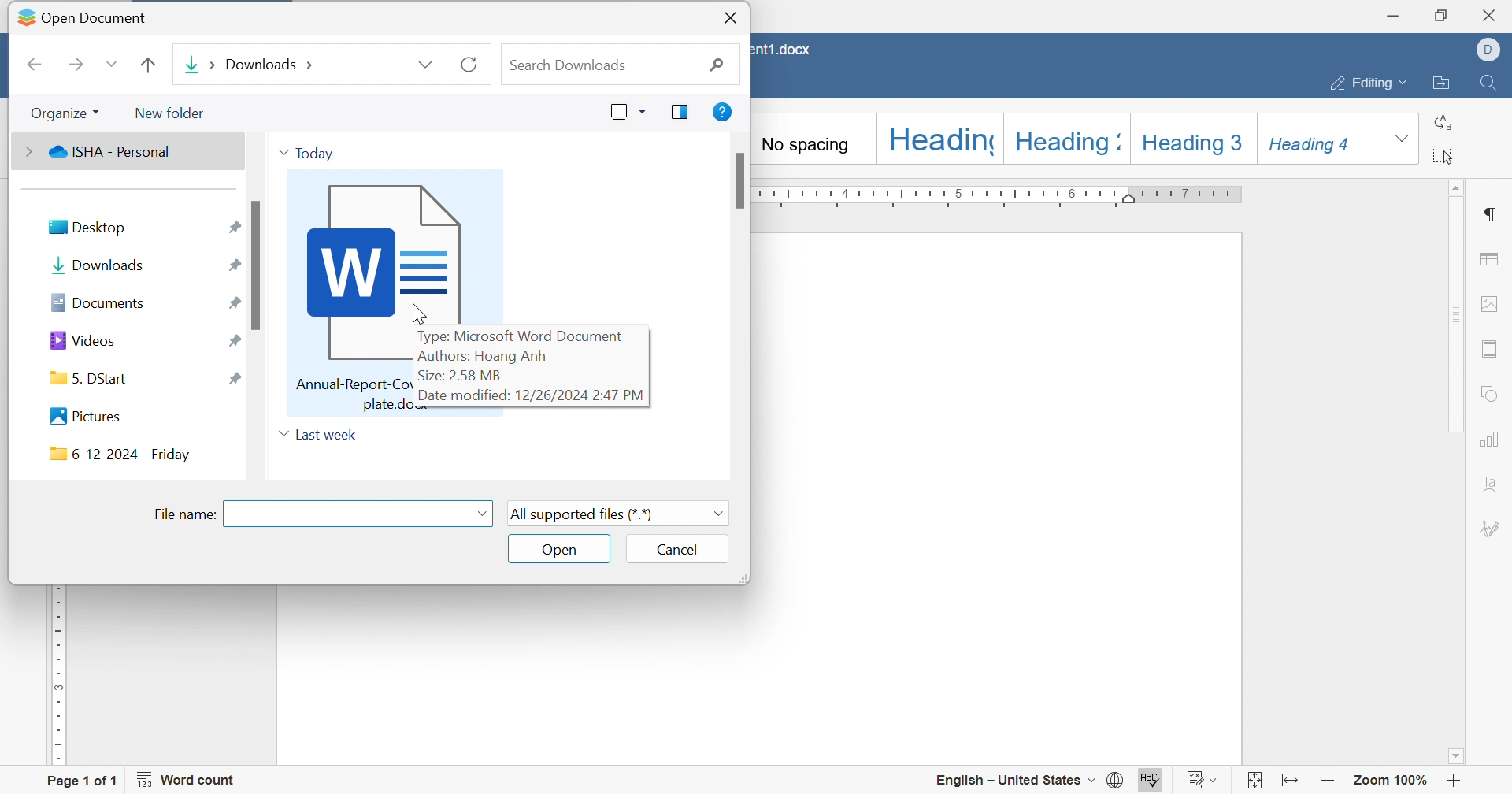 Image resolution: width=1512 pixels, height=794 pixels. Describe the element at coordinates (1493, 304) in the screenshot. I see `image settings` at that location.